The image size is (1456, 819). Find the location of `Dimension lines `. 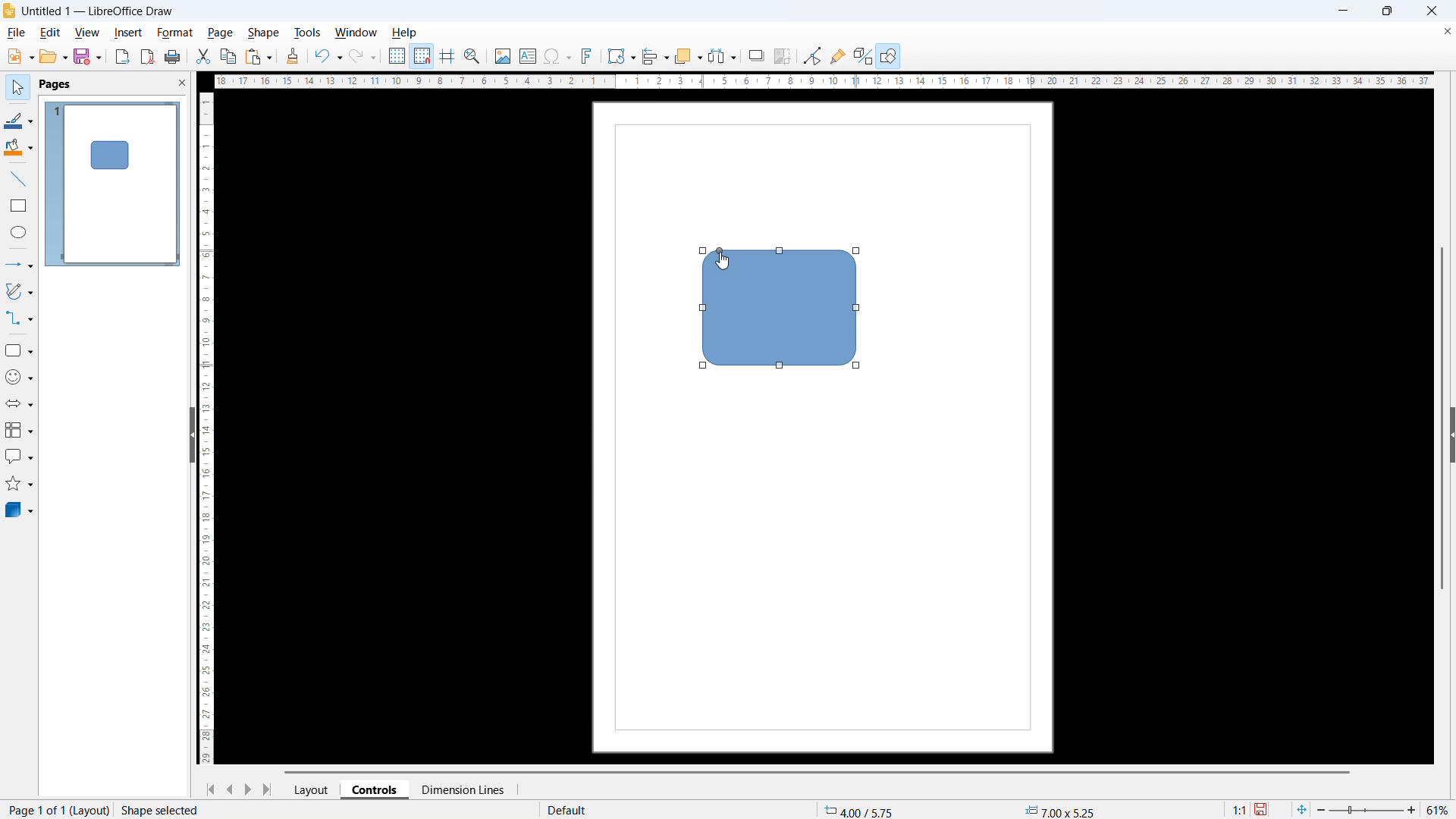

Dimension lines  is located at coordinates (462, 790).